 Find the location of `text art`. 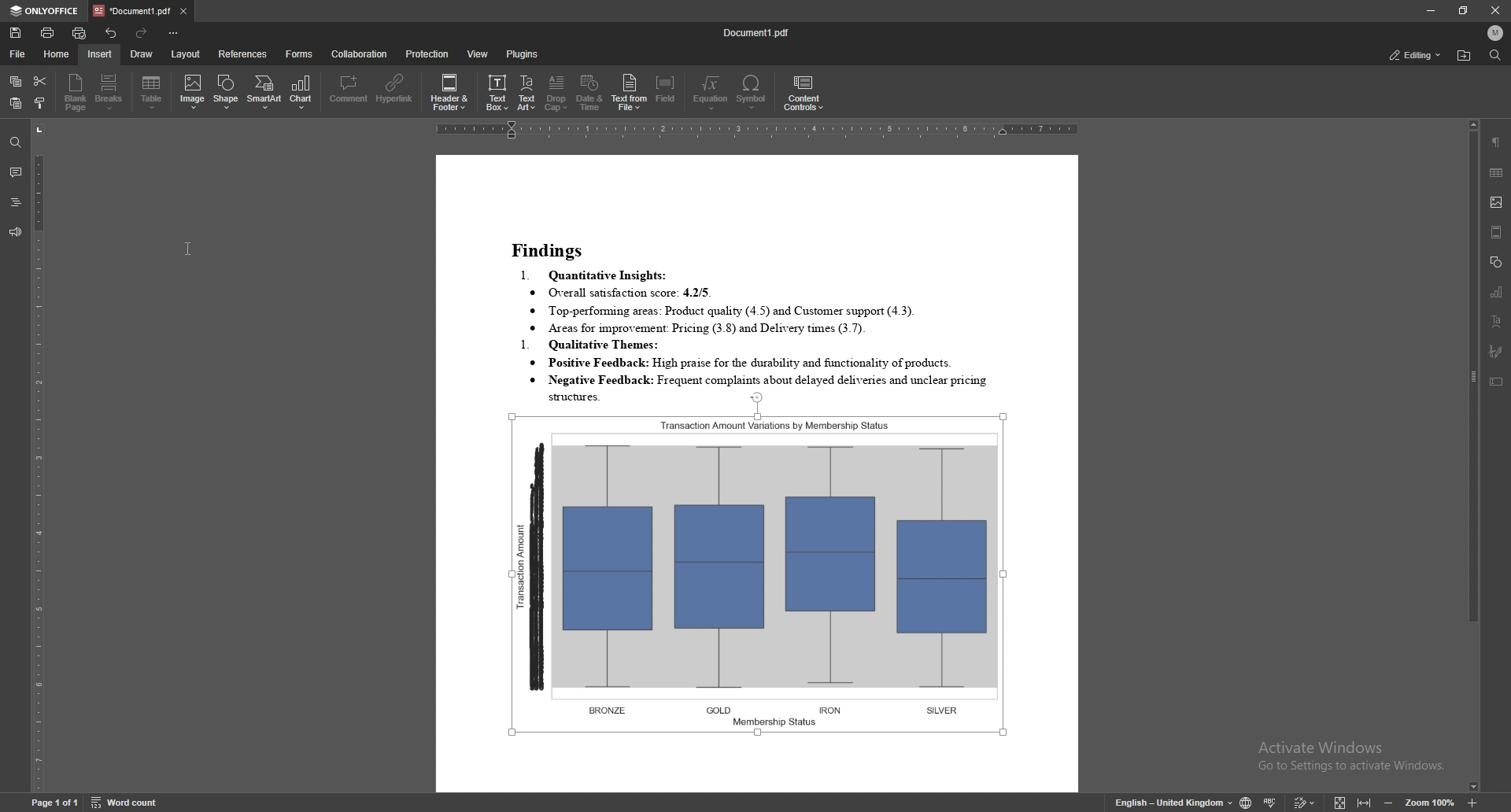

text art is located at coordinates (1497, 321).